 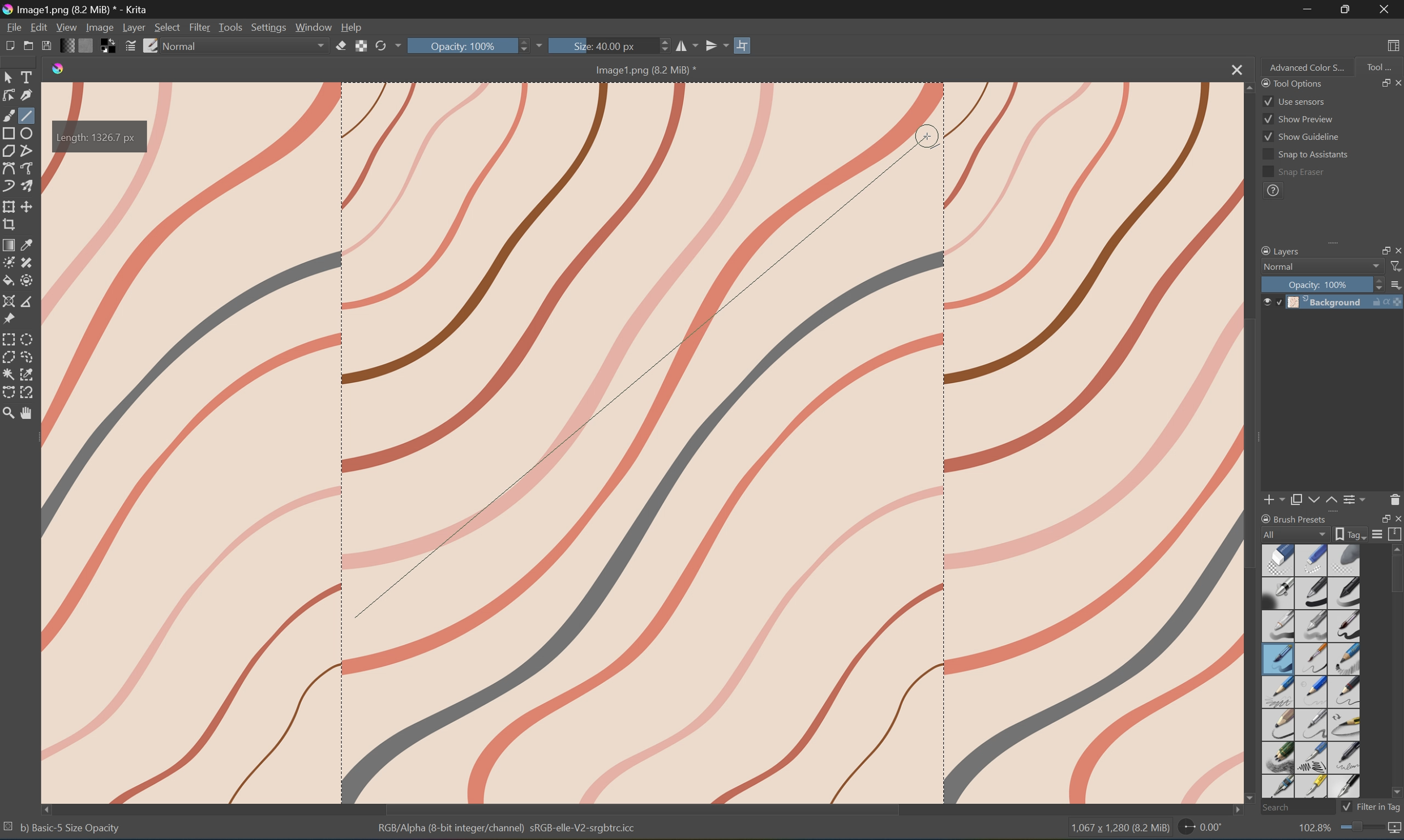 What do you see at coordinates (602, 46) in the screenshot?
I see `Size: 40.00px` at bounding box center [602, 46].